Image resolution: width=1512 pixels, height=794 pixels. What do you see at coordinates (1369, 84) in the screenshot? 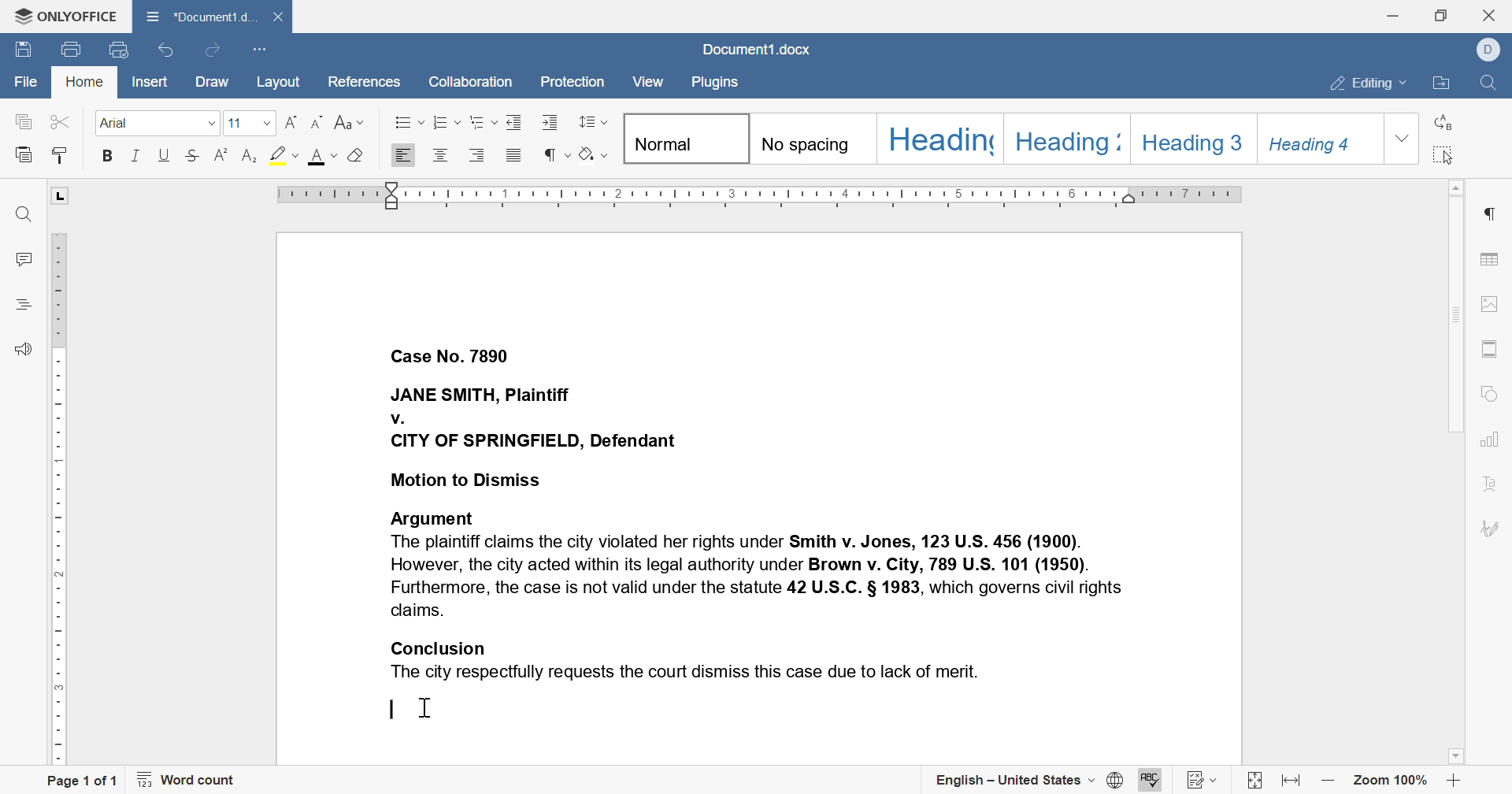
I see `editing` at bounding box center [1369, 84].